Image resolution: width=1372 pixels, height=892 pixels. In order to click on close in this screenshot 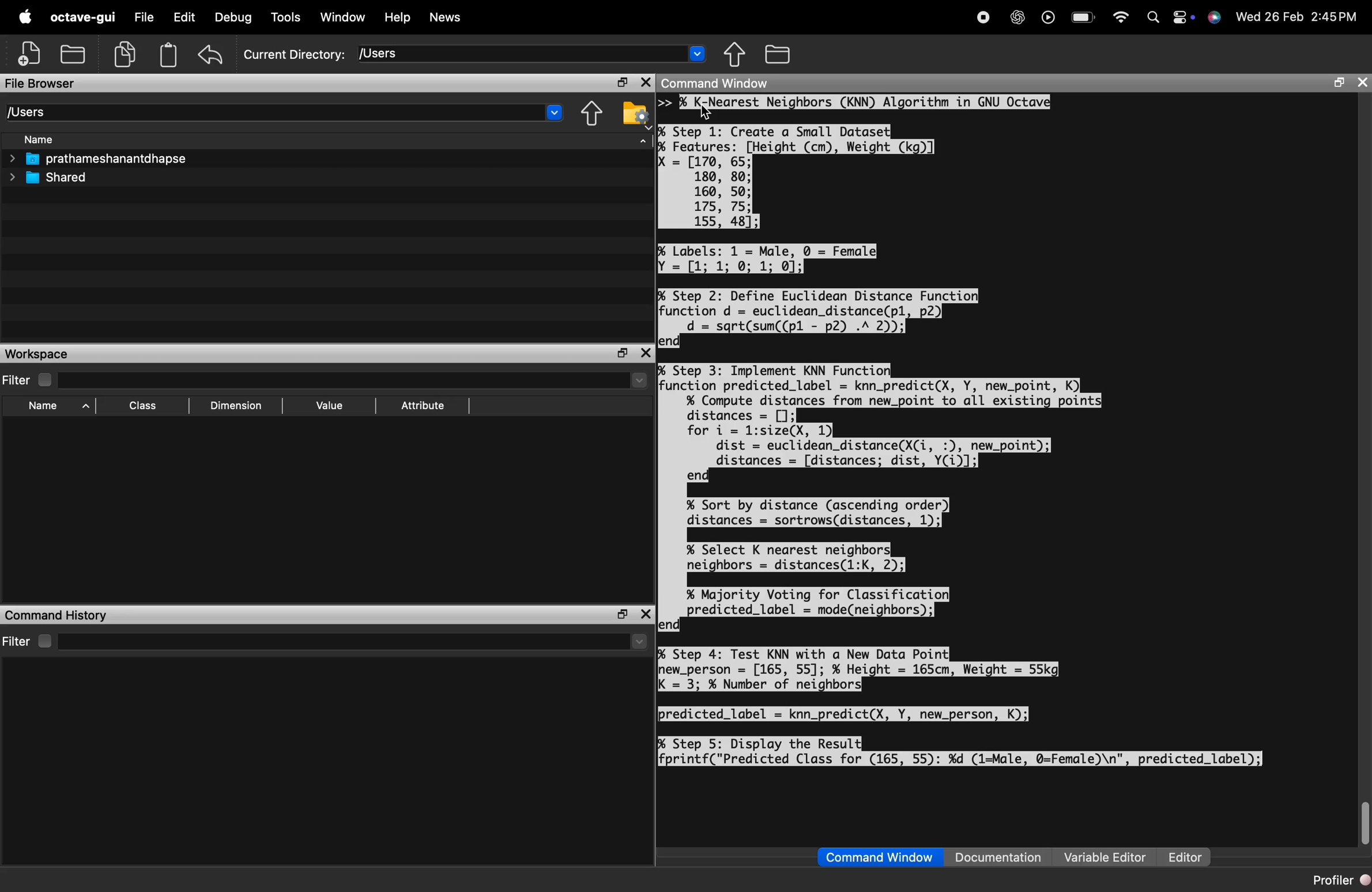, I will do `click(648, 613)`.